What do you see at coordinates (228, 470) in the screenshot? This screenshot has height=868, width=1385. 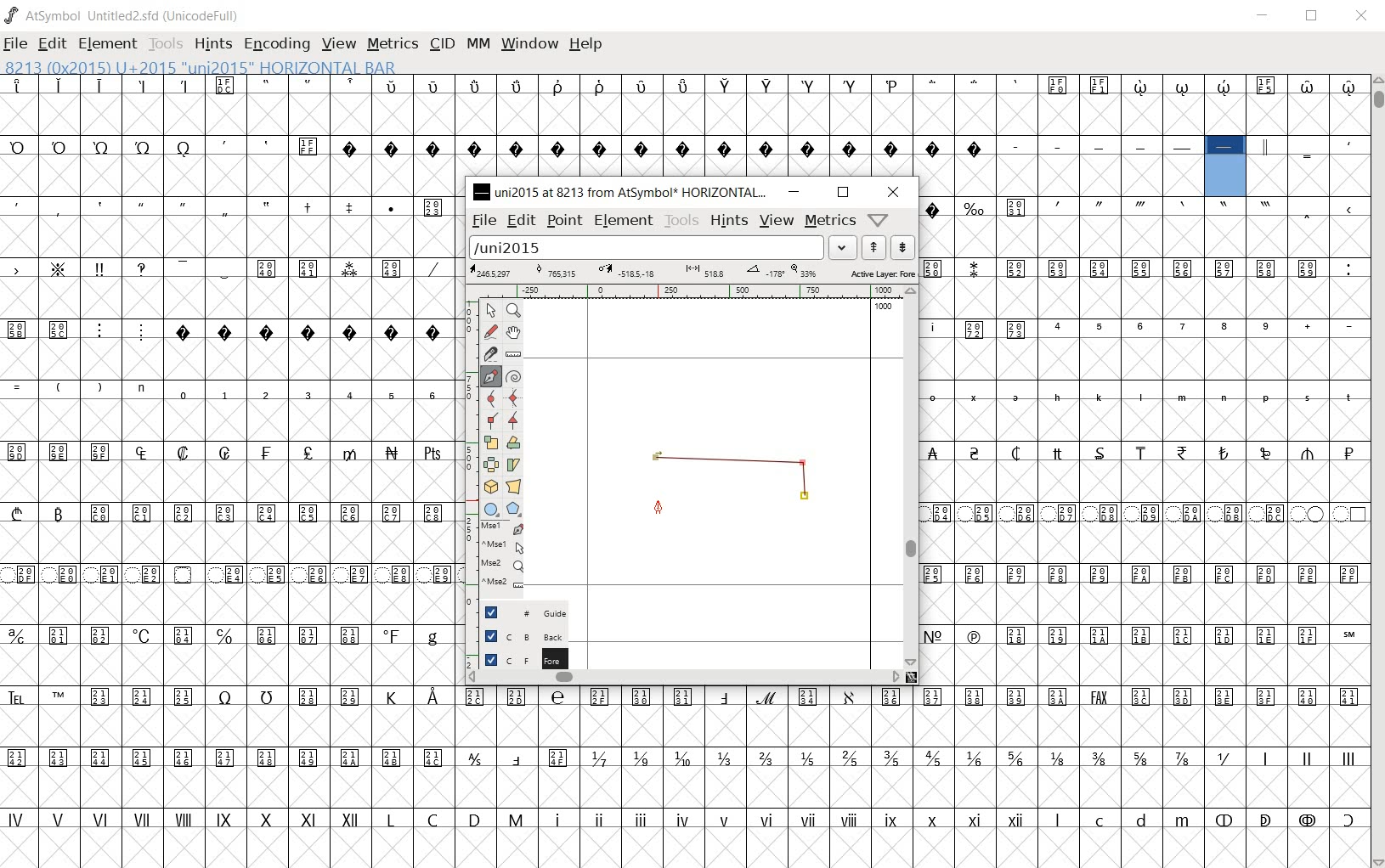 I see `GLYPHS` at bounding box center [228, 470].